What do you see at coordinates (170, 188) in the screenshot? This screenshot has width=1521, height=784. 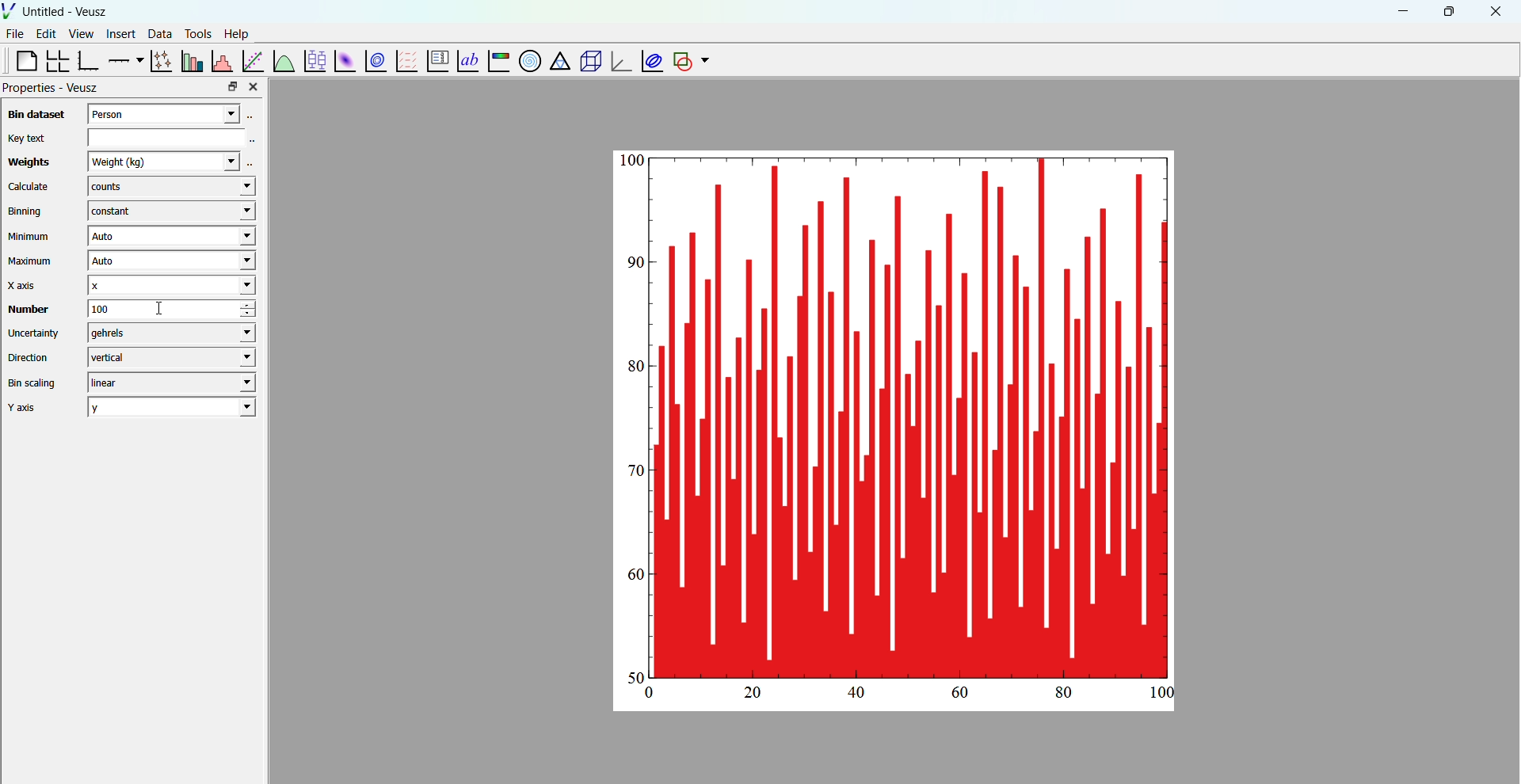 I see `counts` at bounding box center [170, 188].